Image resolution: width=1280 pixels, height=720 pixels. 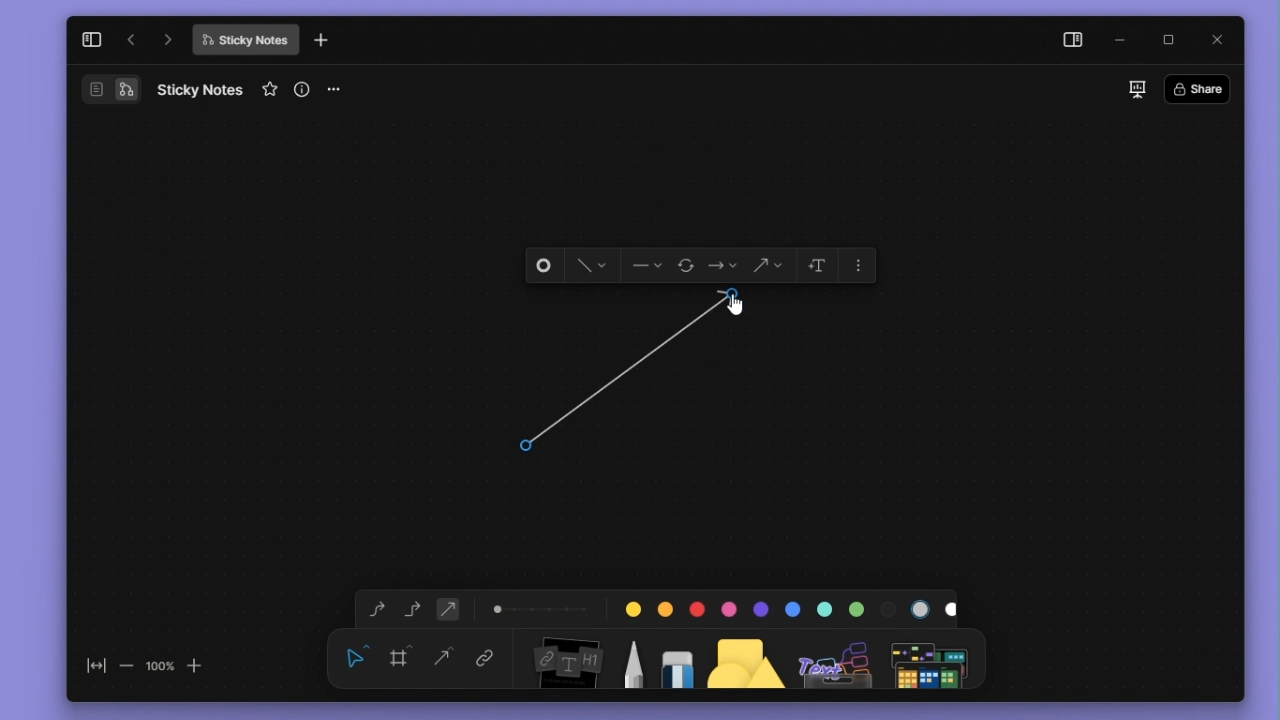 What do you see at coordinates (90, 670) in the screenshot?
I see `fit to screen` at bounding box center [90, 670].